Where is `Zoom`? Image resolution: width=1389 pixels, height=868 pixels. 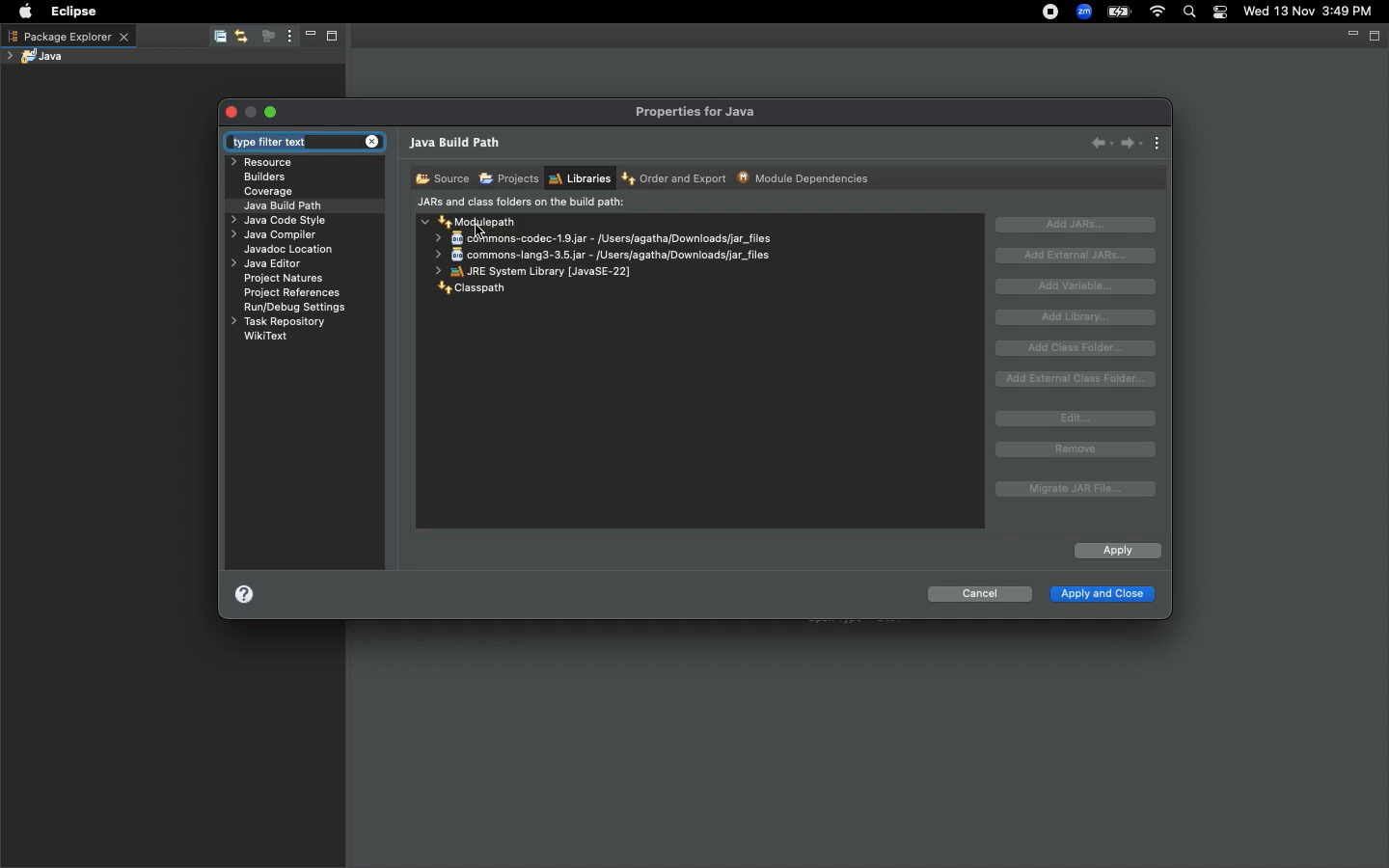
Zoom is located at coordinates (1085, 12).